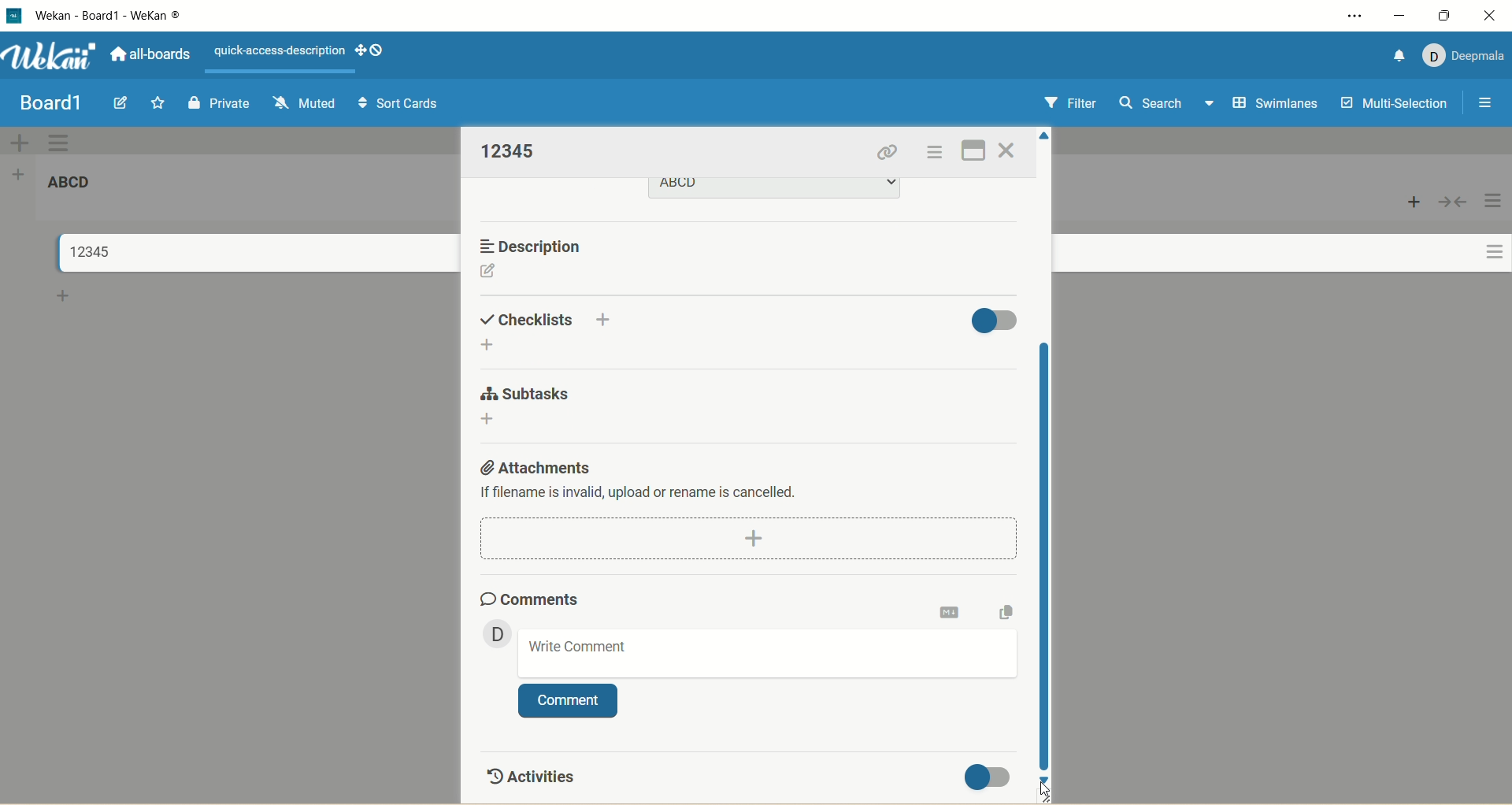 The height and width of the screenshot is (805, 1512). I want to click on list title, so click(77, 187).